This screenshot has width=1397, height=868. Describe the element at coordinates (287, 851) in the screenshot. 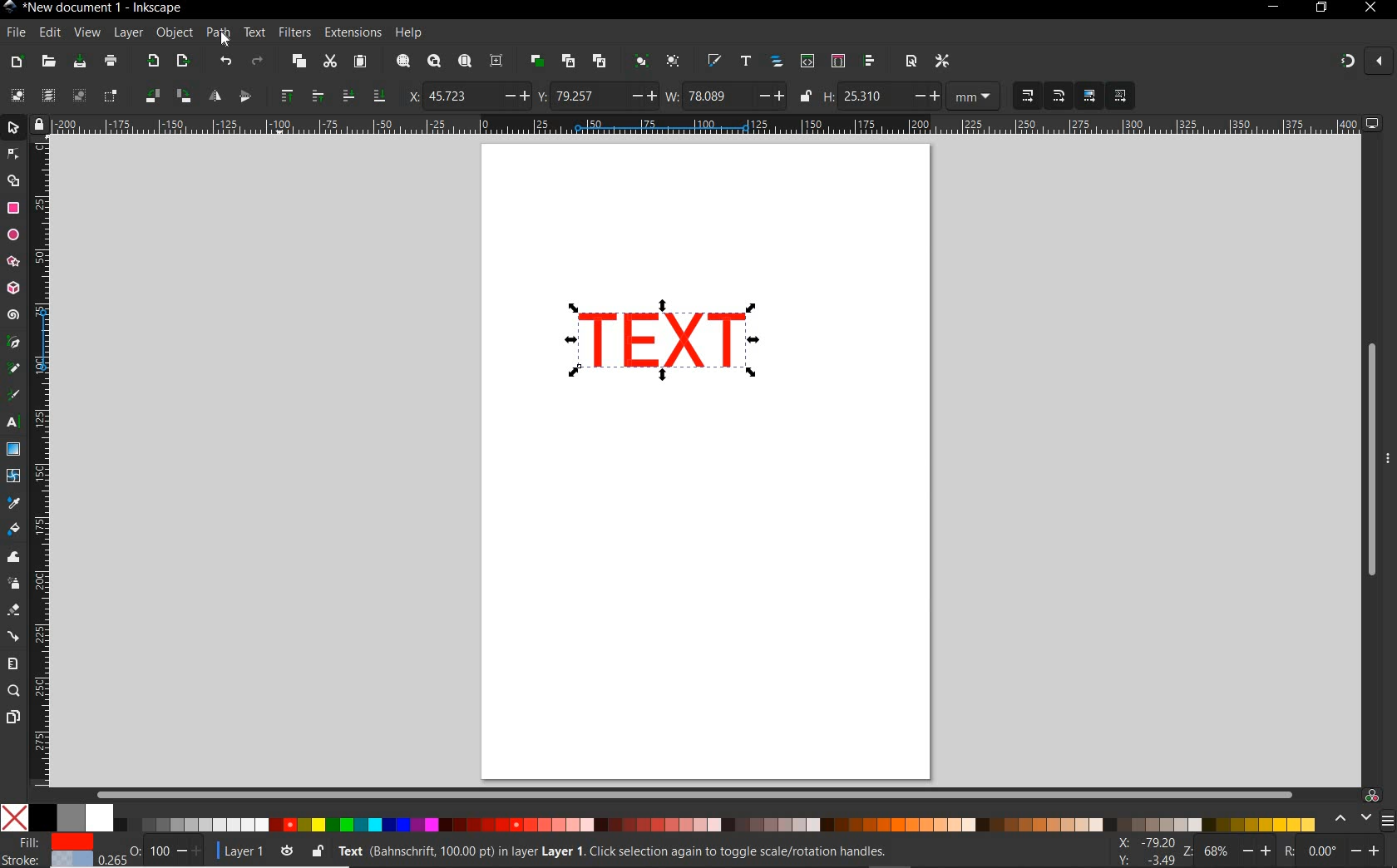

I see `TOGGLE CURRENT LAYER VISIBILITY` at that location.